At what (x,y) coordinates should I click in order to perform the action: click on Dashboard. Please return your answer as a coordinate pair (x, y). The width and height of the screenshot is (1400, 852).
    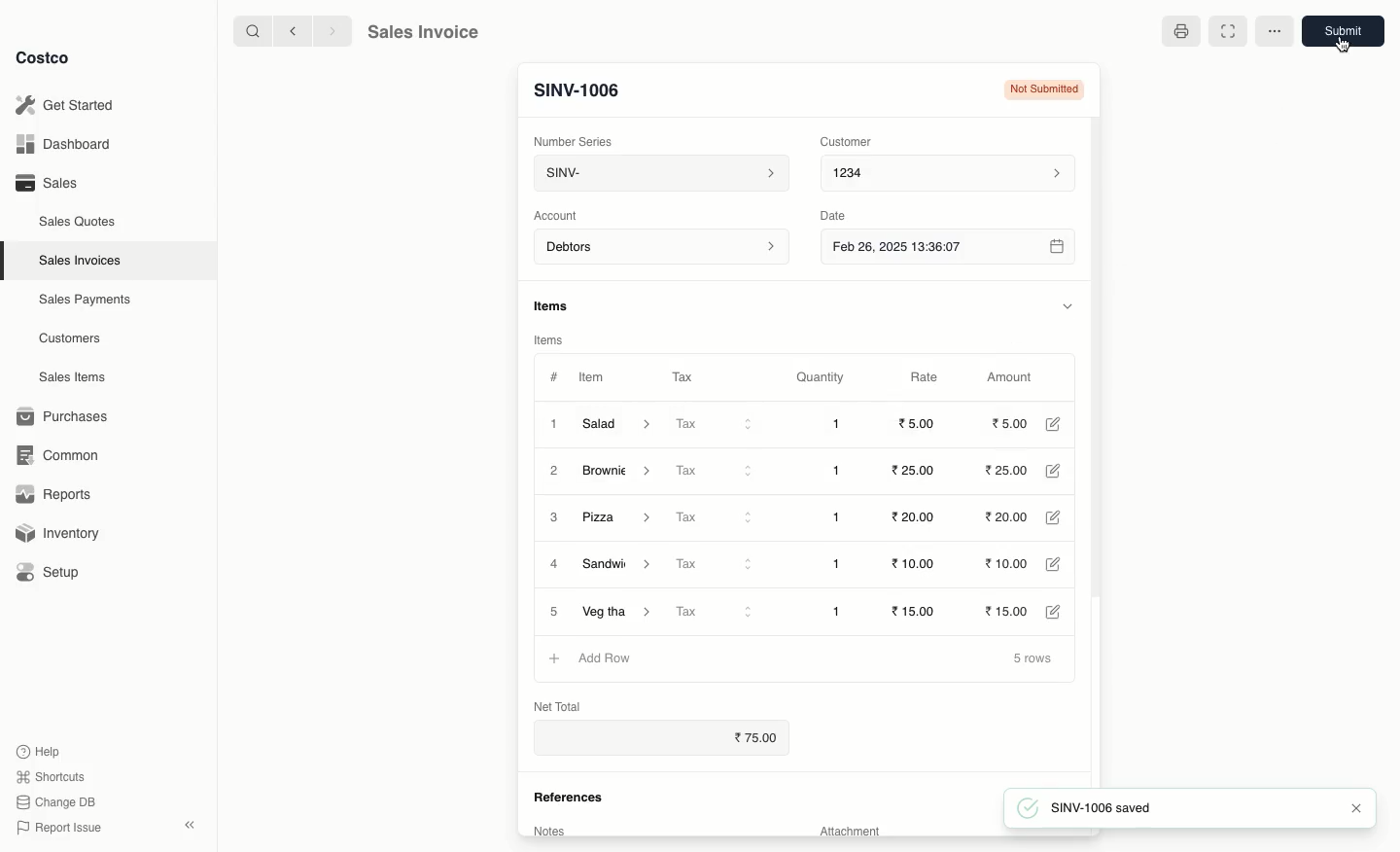
    Looking at the image, I should click on (60, 145).